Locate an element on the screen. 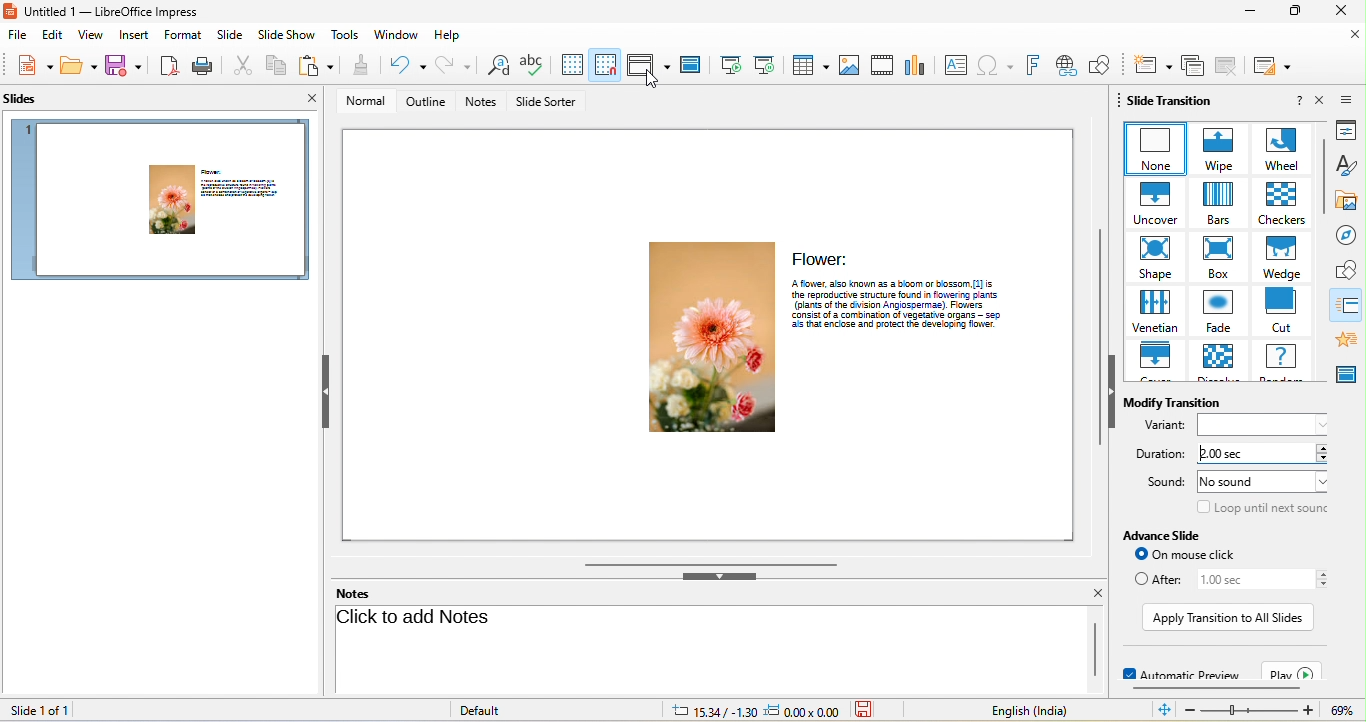 Image resolution: width=1366 pixels, height=722 pixels. hyperlink is located at coordinates (1066, 65).